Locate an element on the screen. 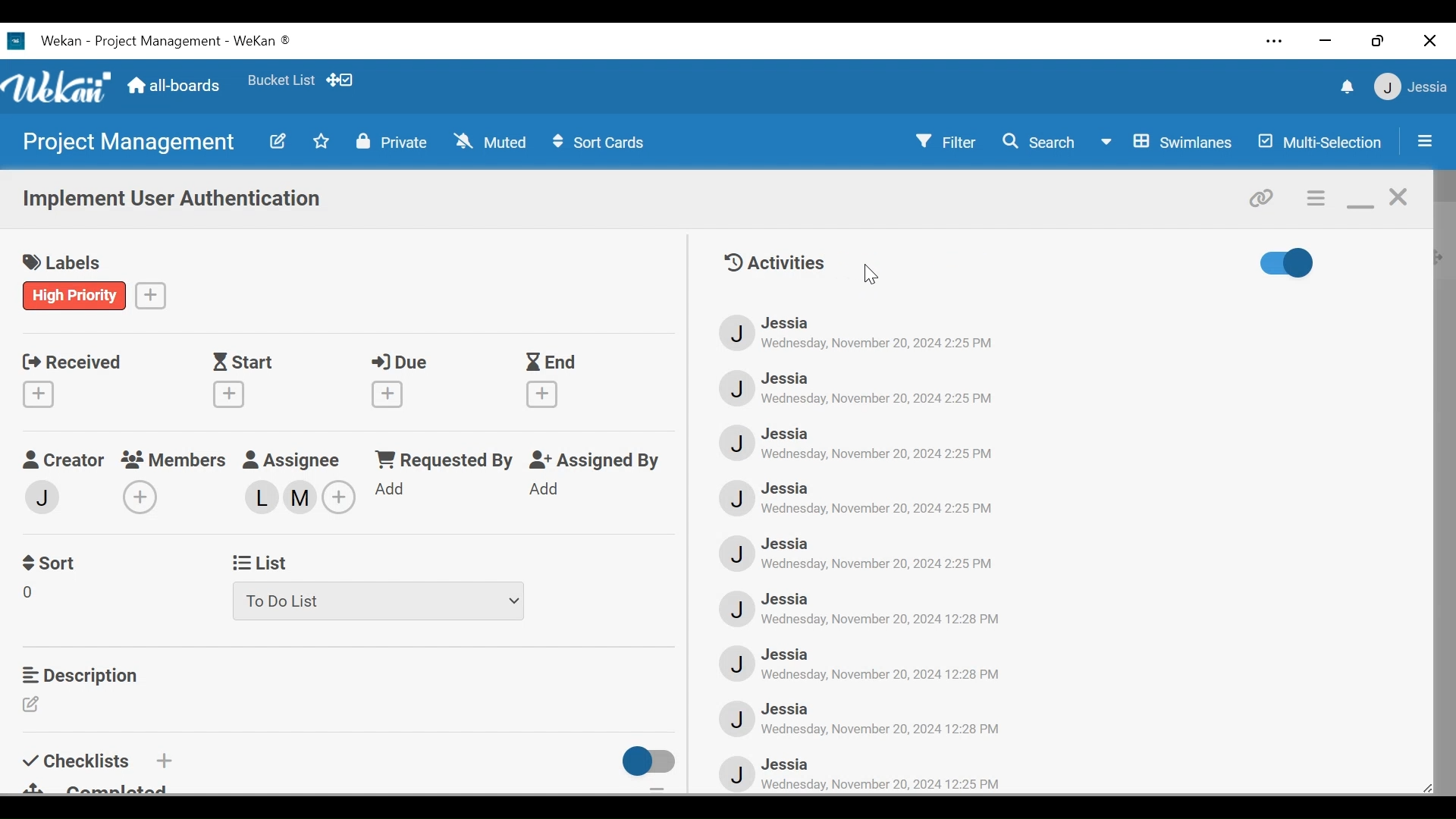  Assignee is located at coordinates (295, 459).